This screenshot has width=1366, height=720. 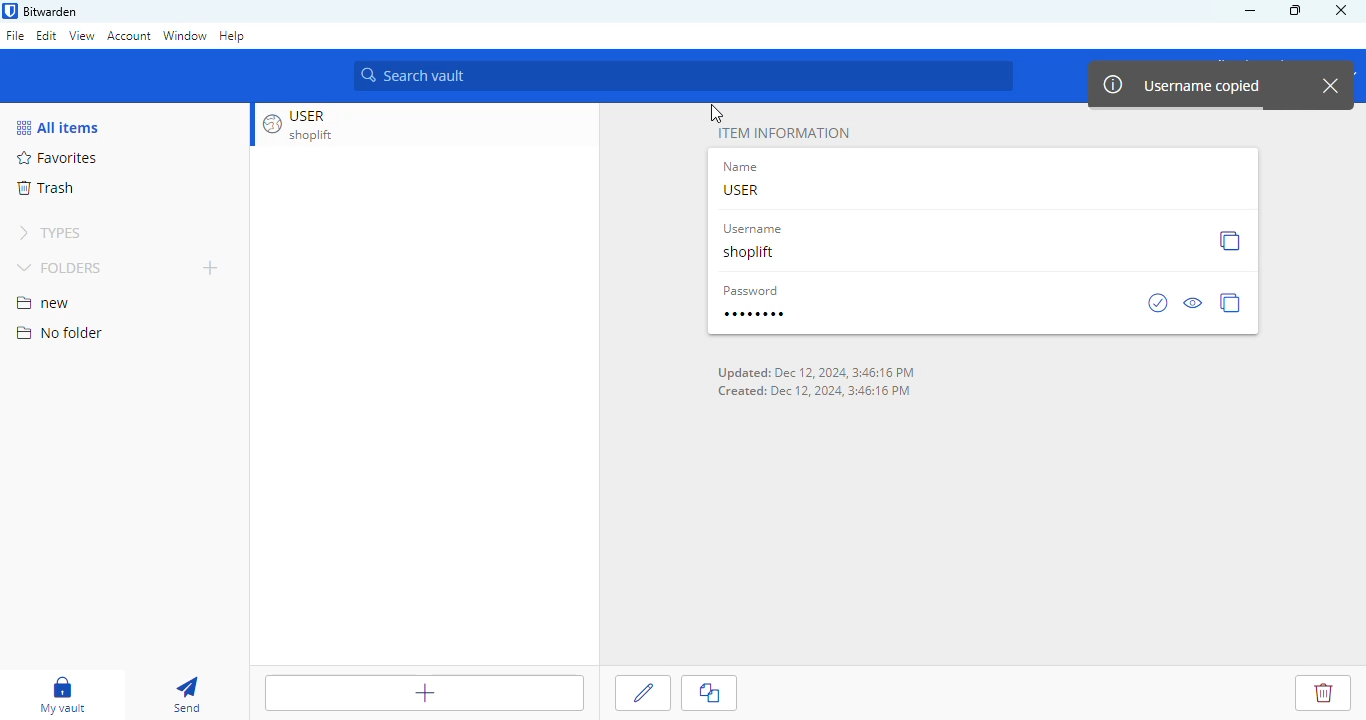 I want to click on edit, so click(x=48, y=35).